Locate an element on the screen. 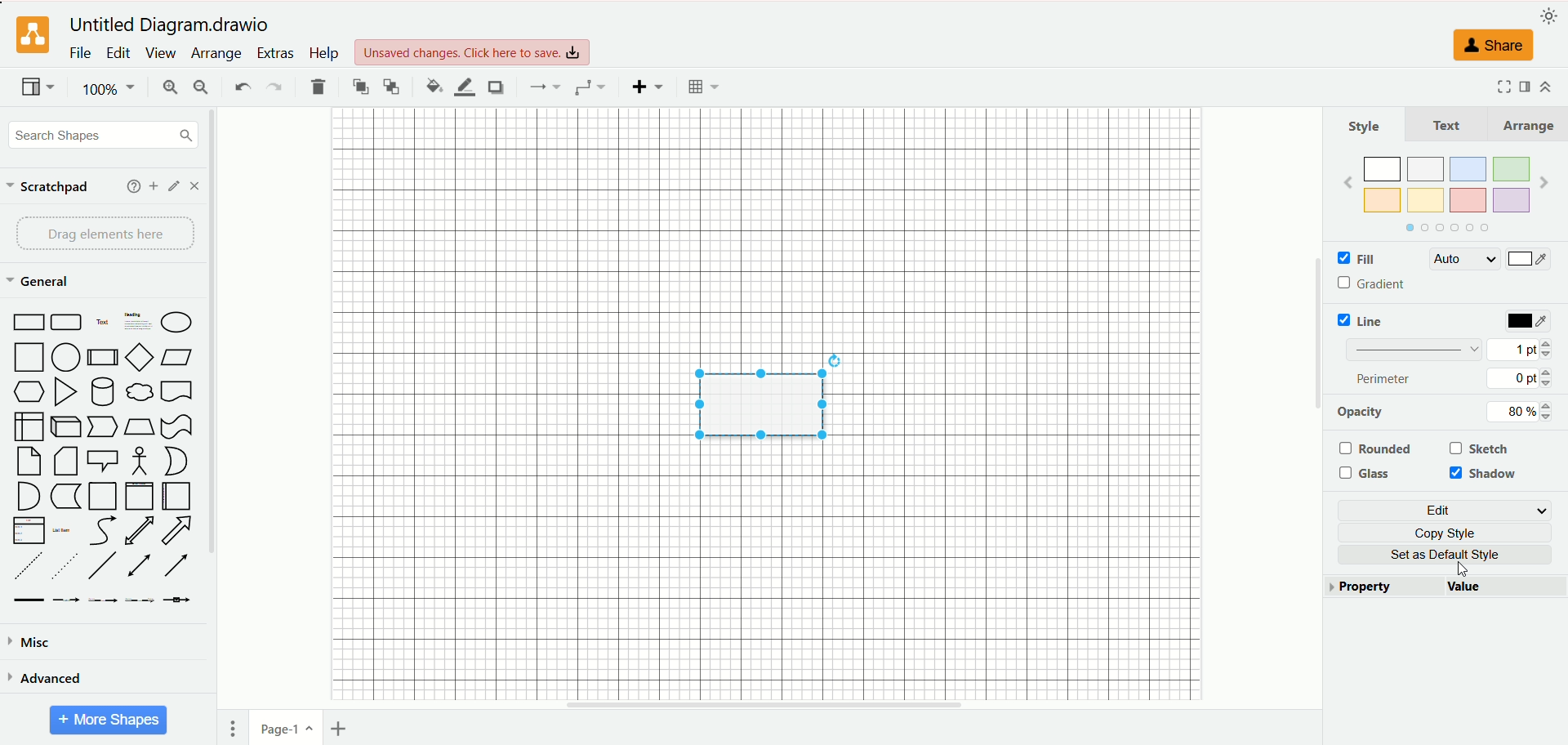 This screenshot has height=745, width=1568. auto is located at coordinates (1463, 259).